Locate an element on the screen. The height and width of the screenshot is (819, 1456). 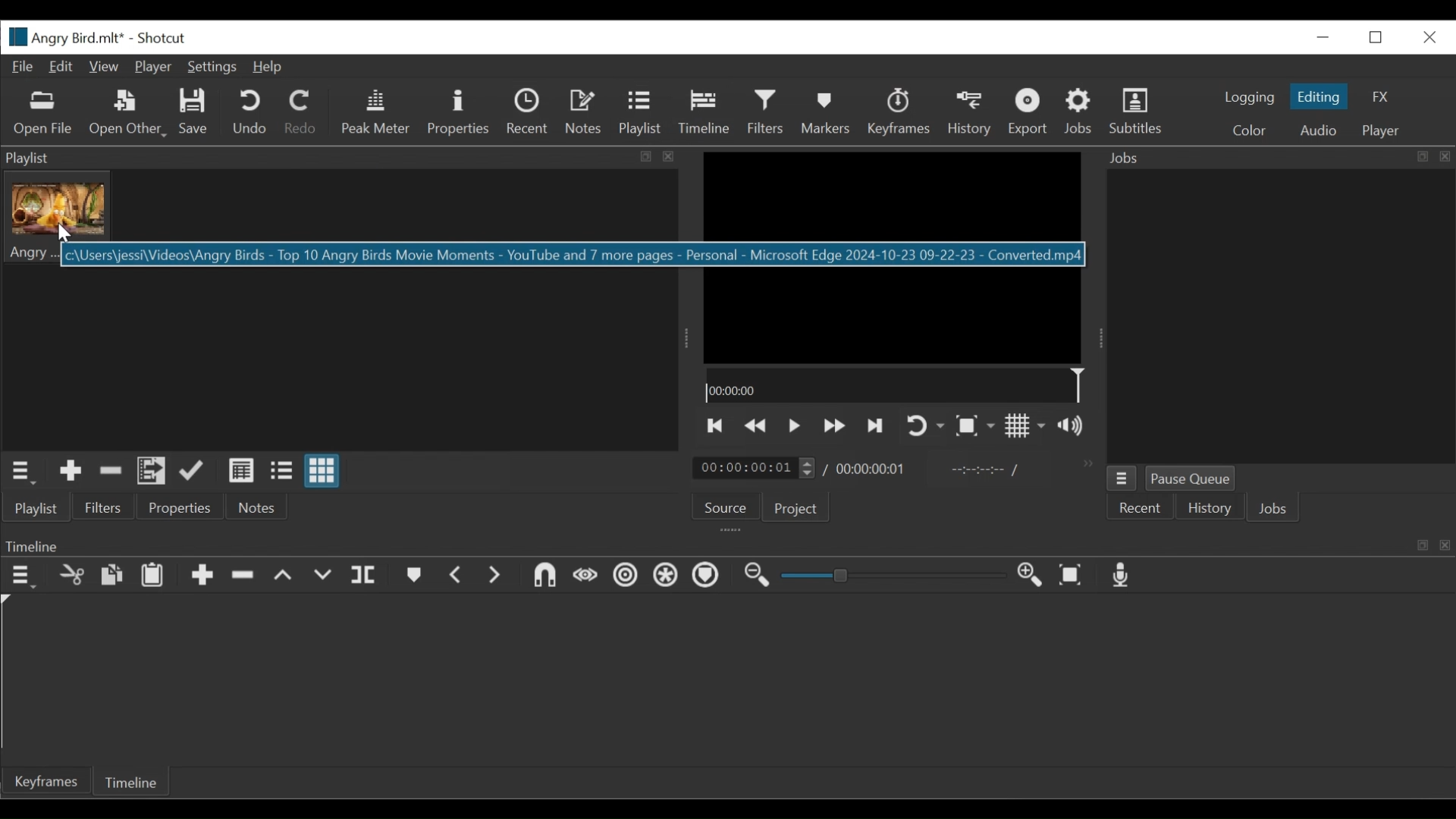
Close is located at coordinates (1427, 36).